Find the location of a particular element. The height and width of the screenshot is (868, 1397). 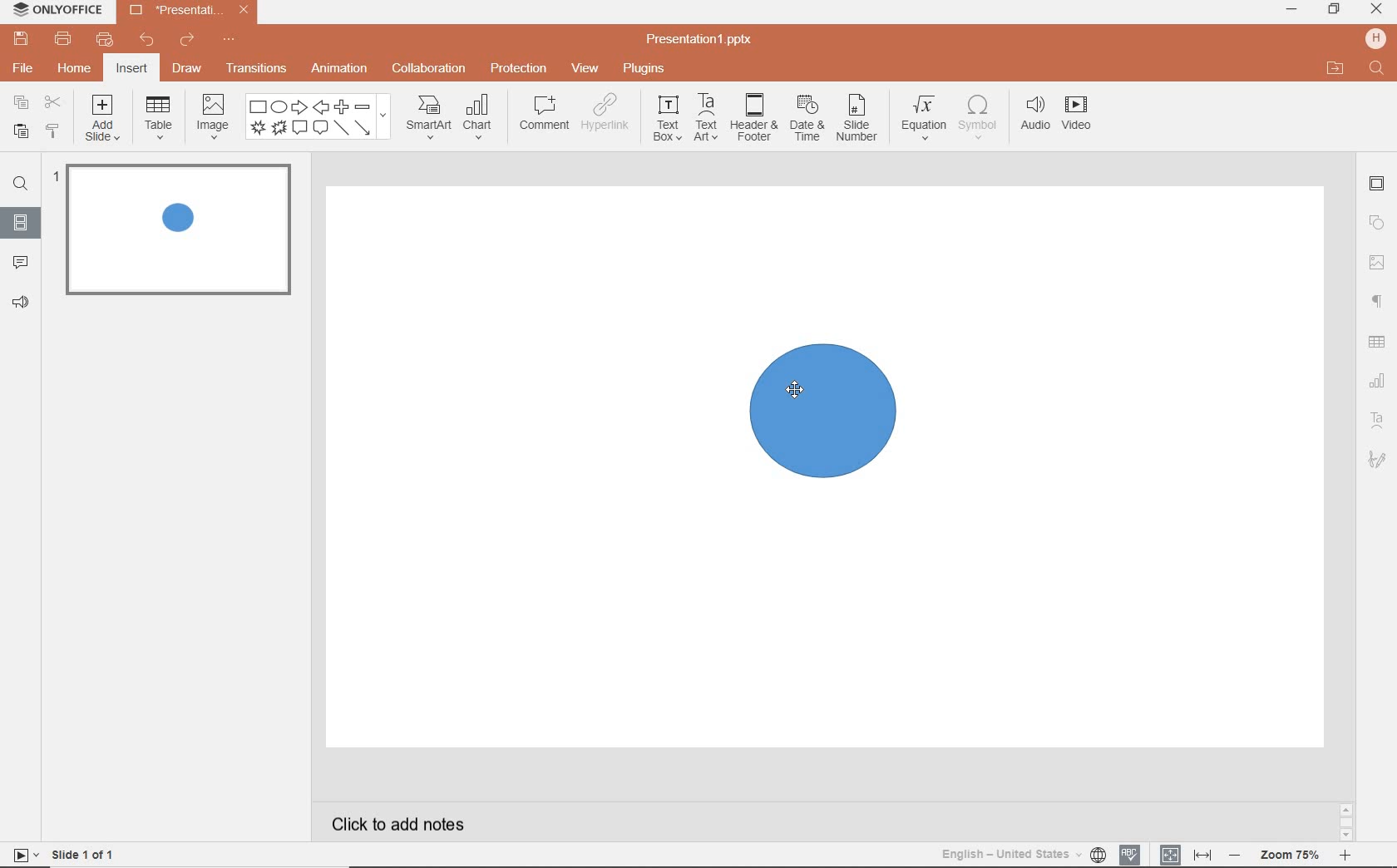

date & time is located at coordinates (807, 119).